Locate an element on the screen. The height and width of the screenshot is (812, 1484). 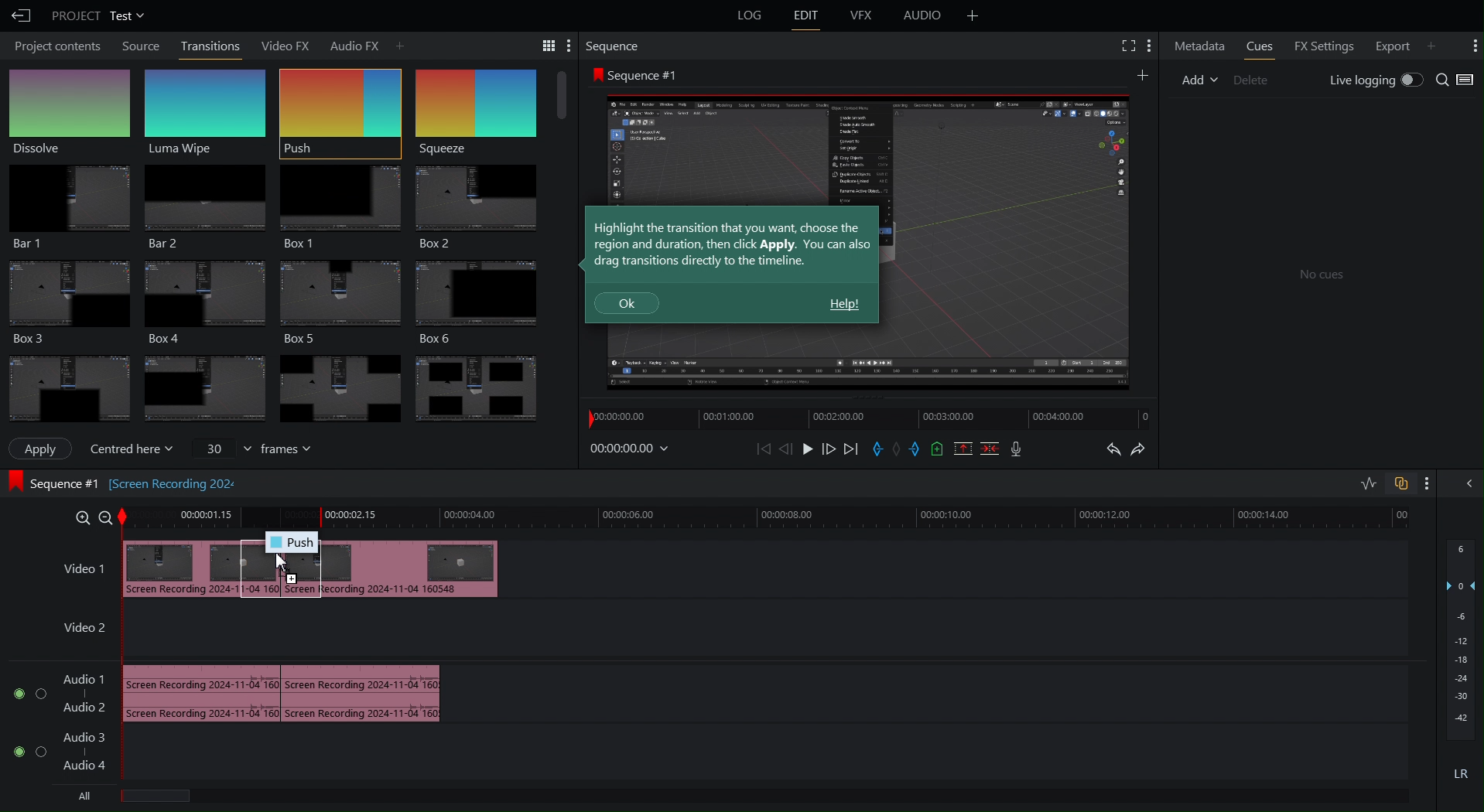
Project Test is located at coordinates (97, 15).